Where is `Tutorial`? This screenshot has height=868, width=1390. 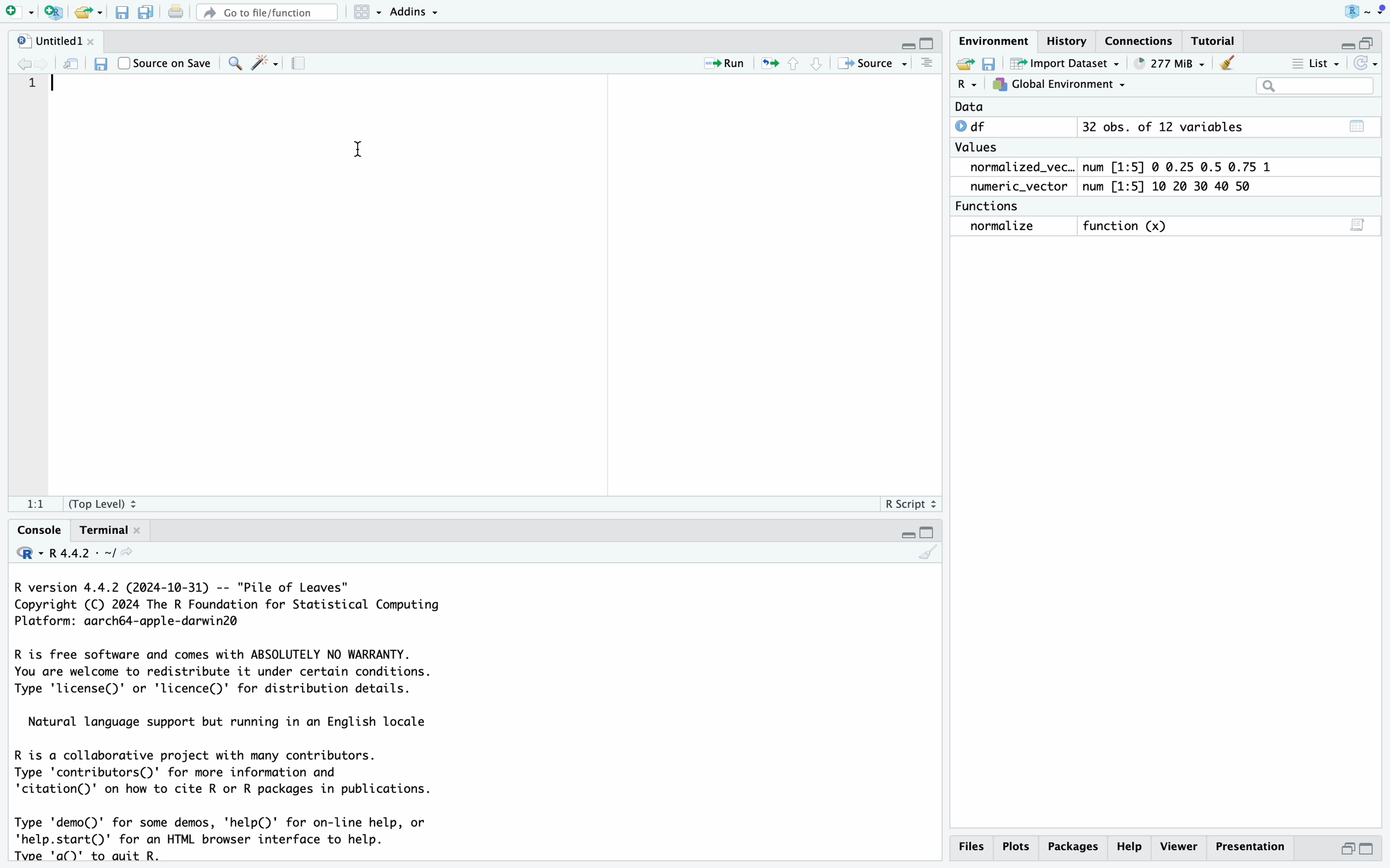
Tutorial is located at coordinates (1215, 41).